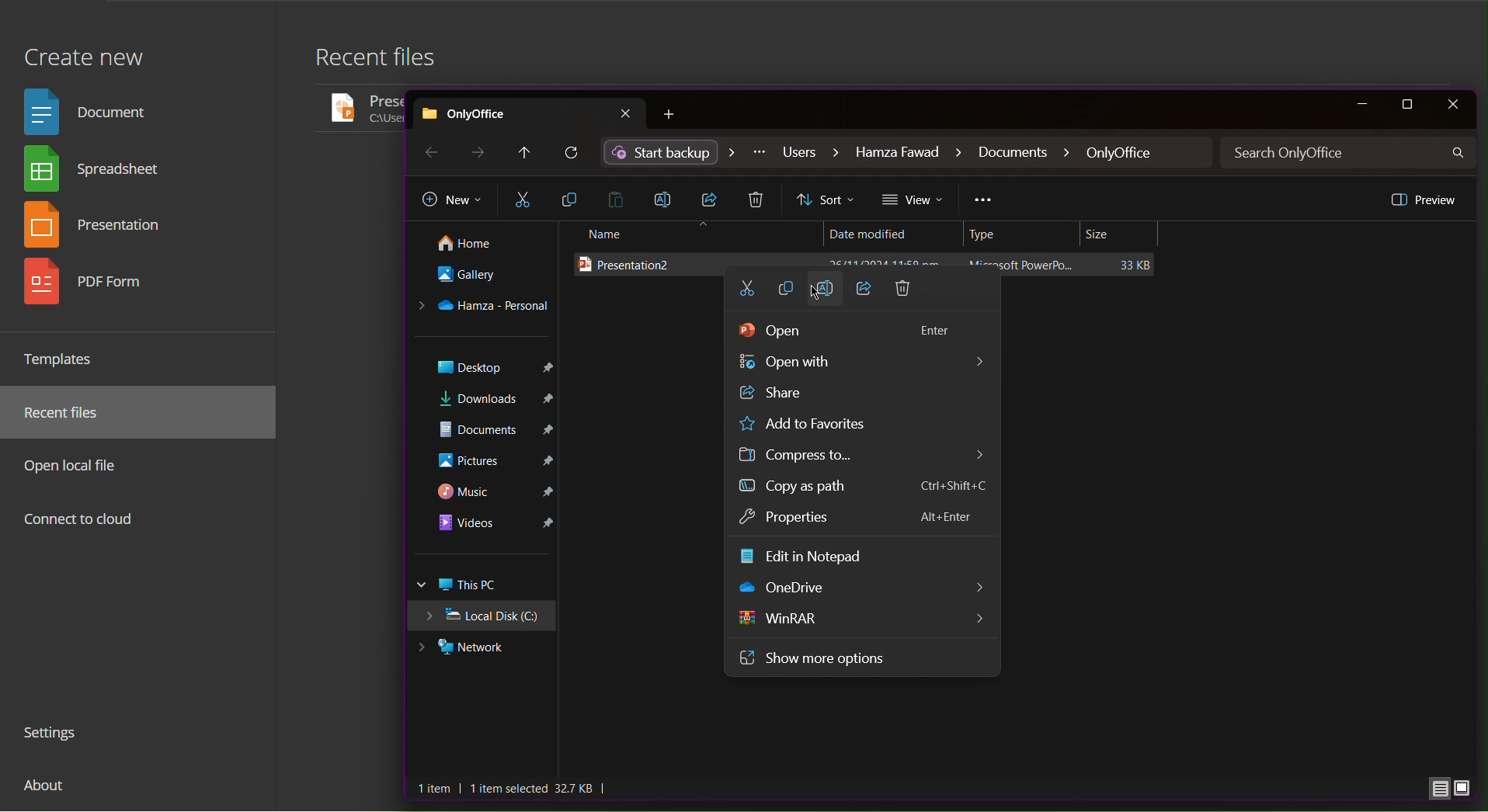 The width and height of the screenshot is (1488, 812). What do you see at coordinates (859, 364) in the screenshot?
I see `Open With` at bounding box center [859, 364].